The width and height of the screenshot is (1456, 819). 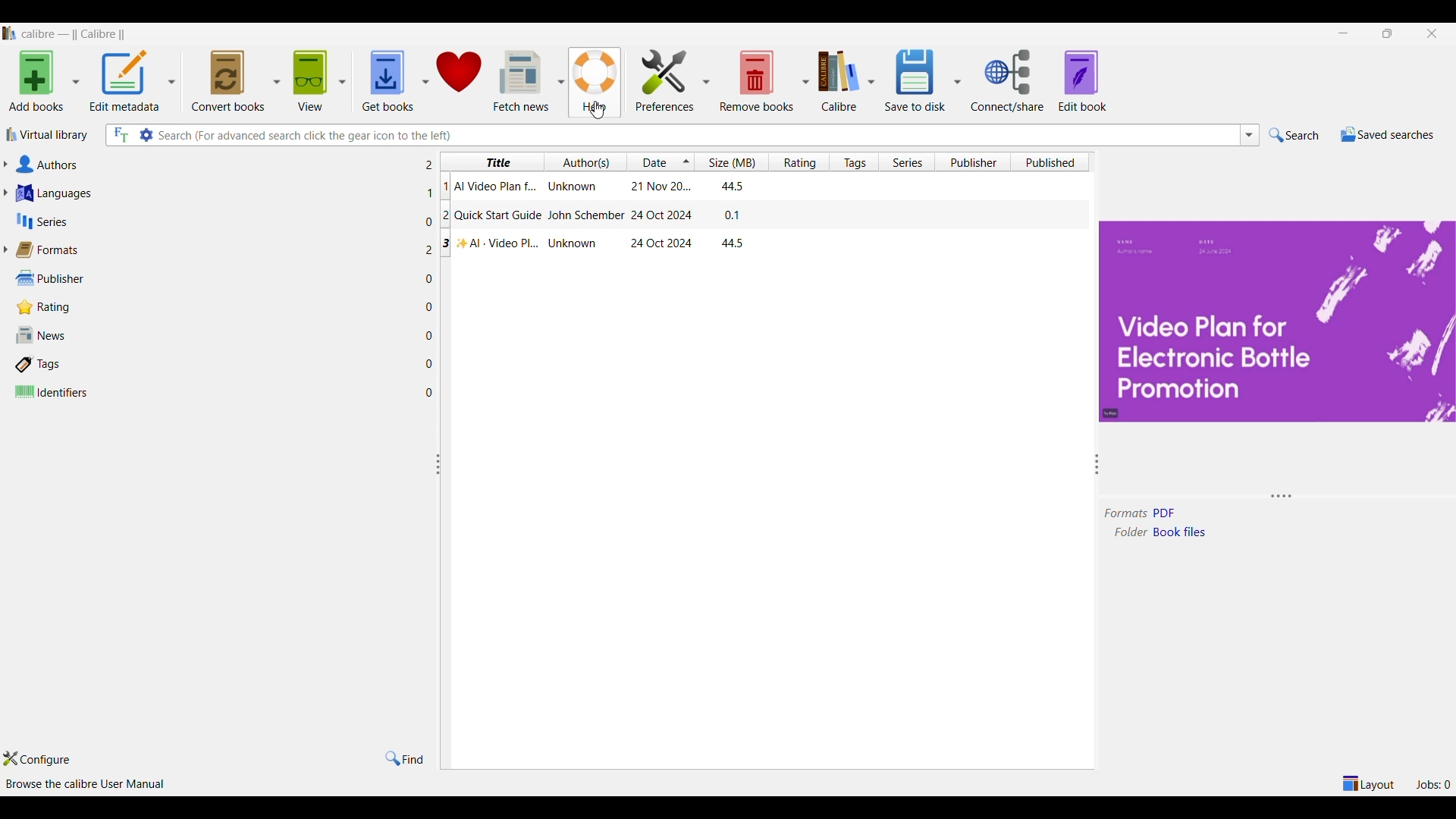 What do you see at coordinates (1008, 80) in the screenshot?
I see `Connect/share` at bounding box center [1008, 80].